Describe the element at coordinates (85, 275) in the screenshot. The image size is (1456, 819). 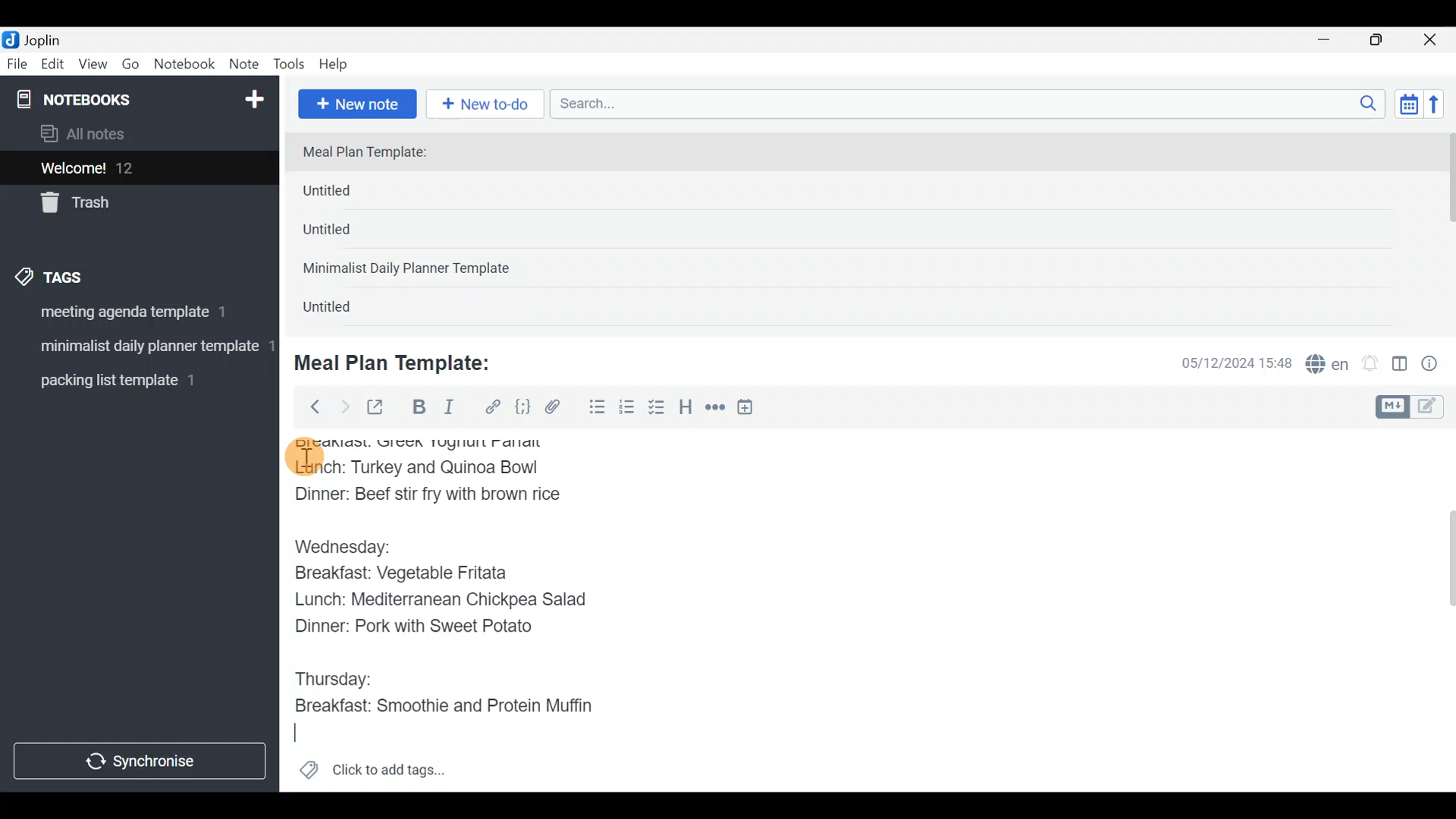
I see `Tags` at that location.